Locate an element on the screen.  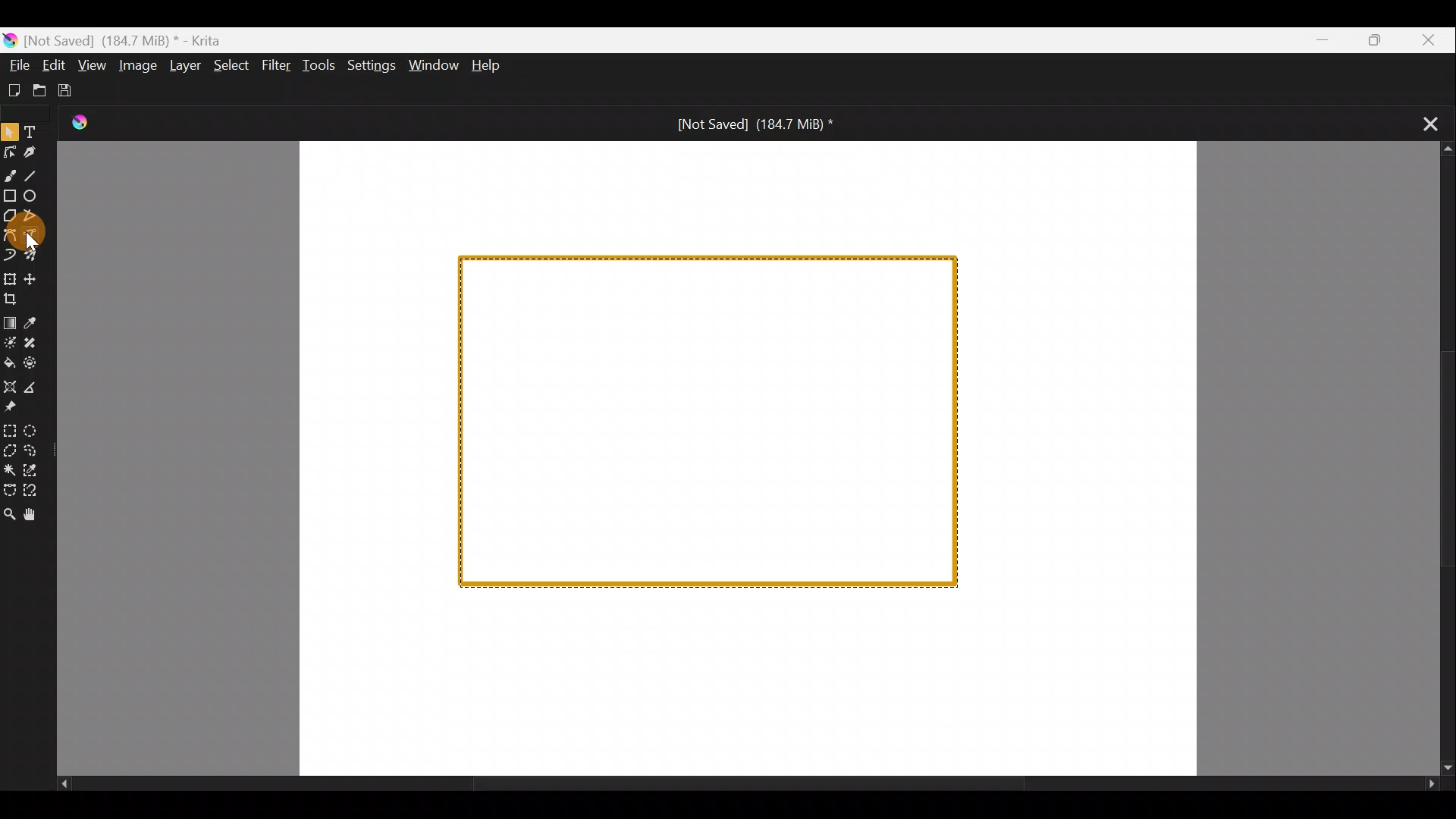
Create new document is located at coordinates (15, 90).